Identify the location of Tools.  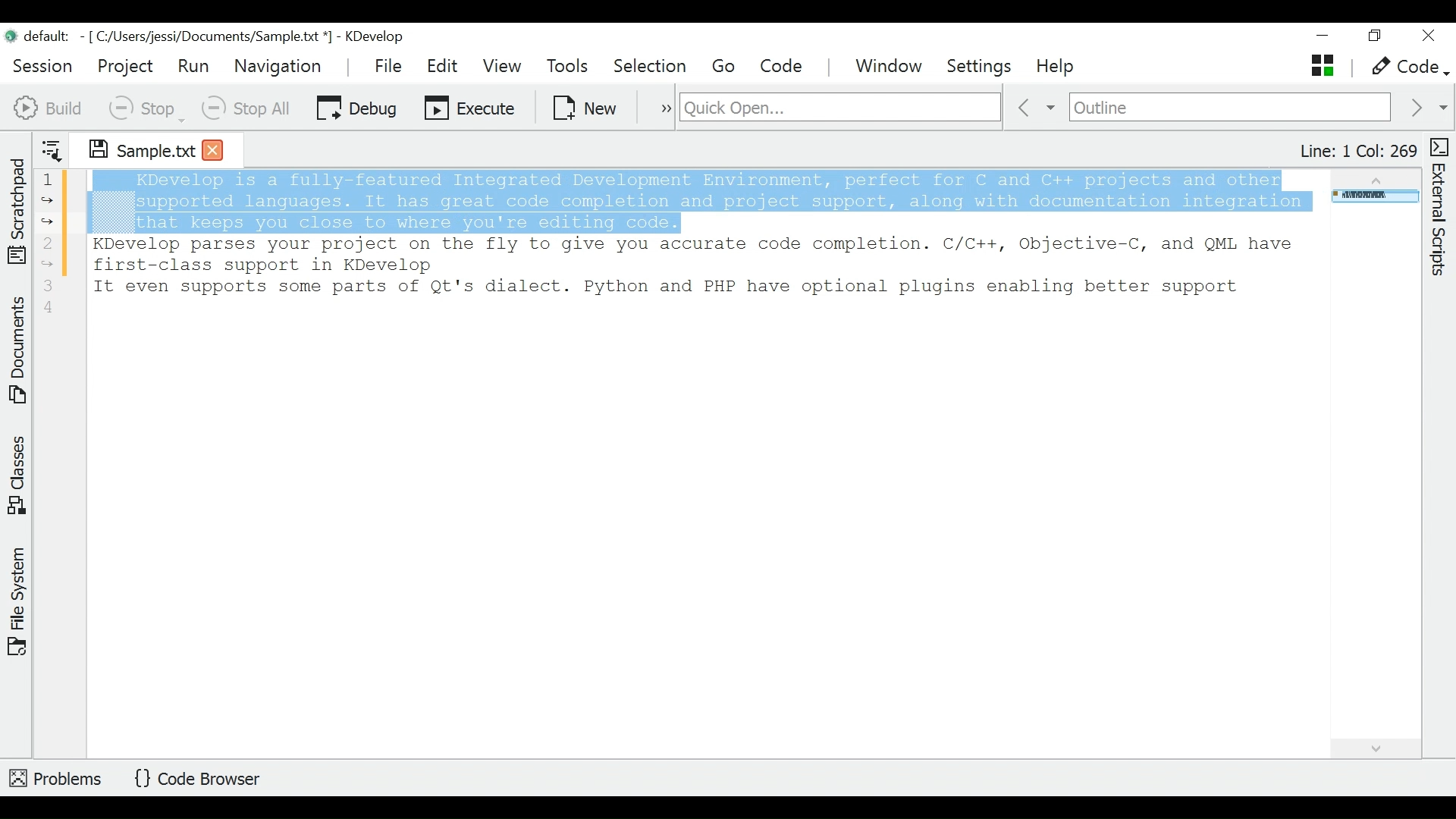
(572, 67).